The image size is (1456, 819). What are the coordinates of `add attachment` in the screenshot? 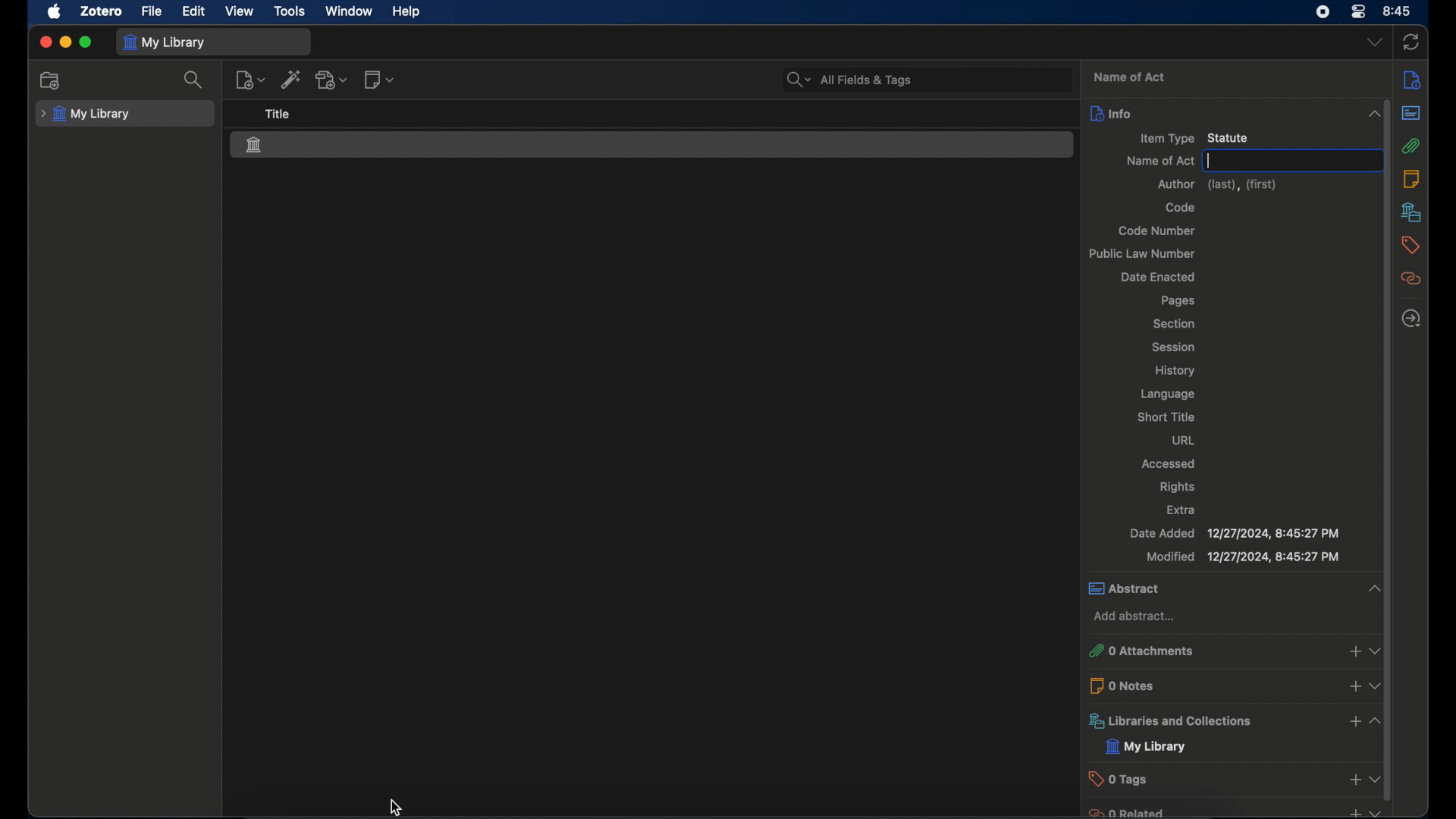 It's located at (334, 81).